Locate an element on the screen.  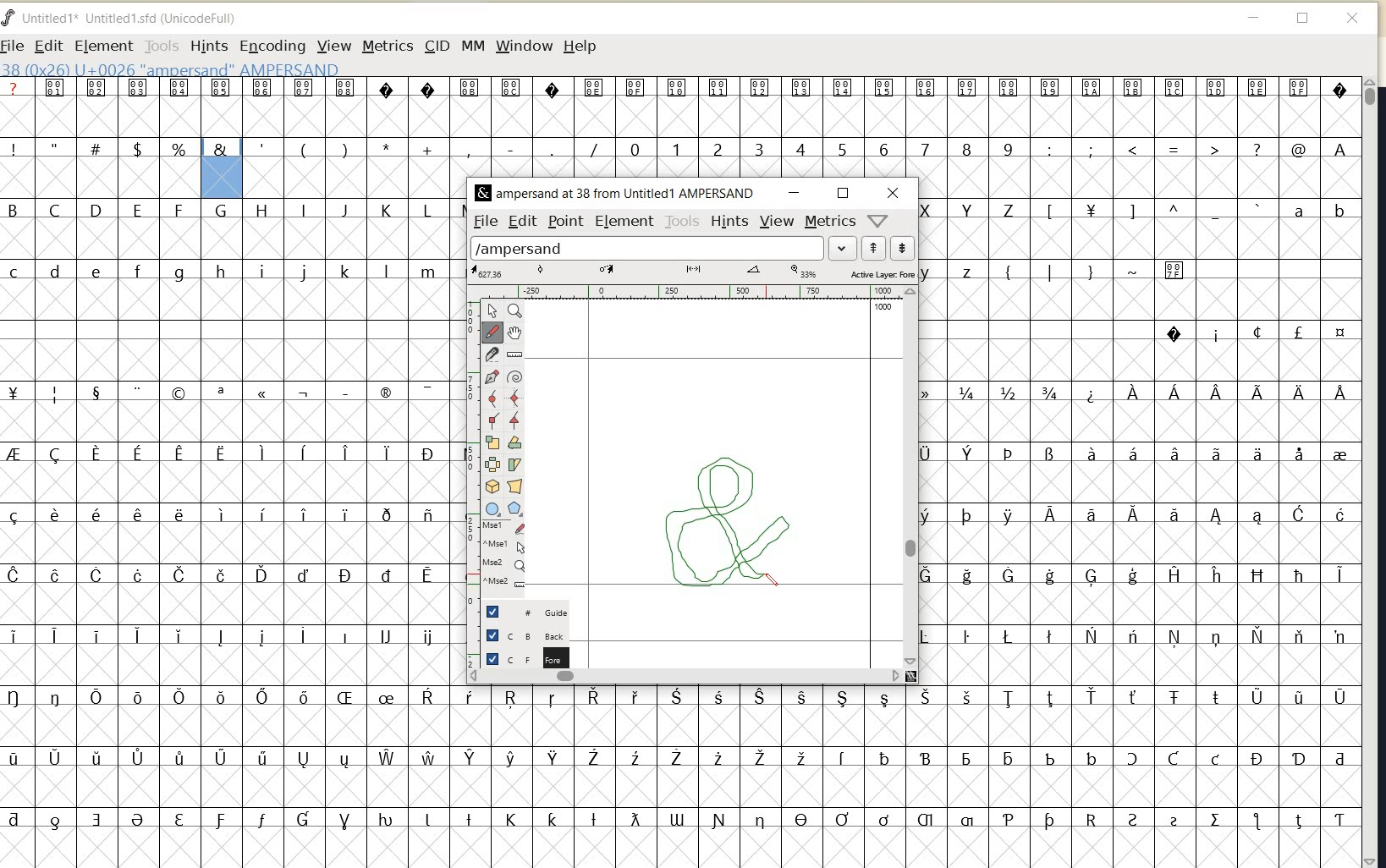
GLYPHY INFO is located at coordinates (170, 70).